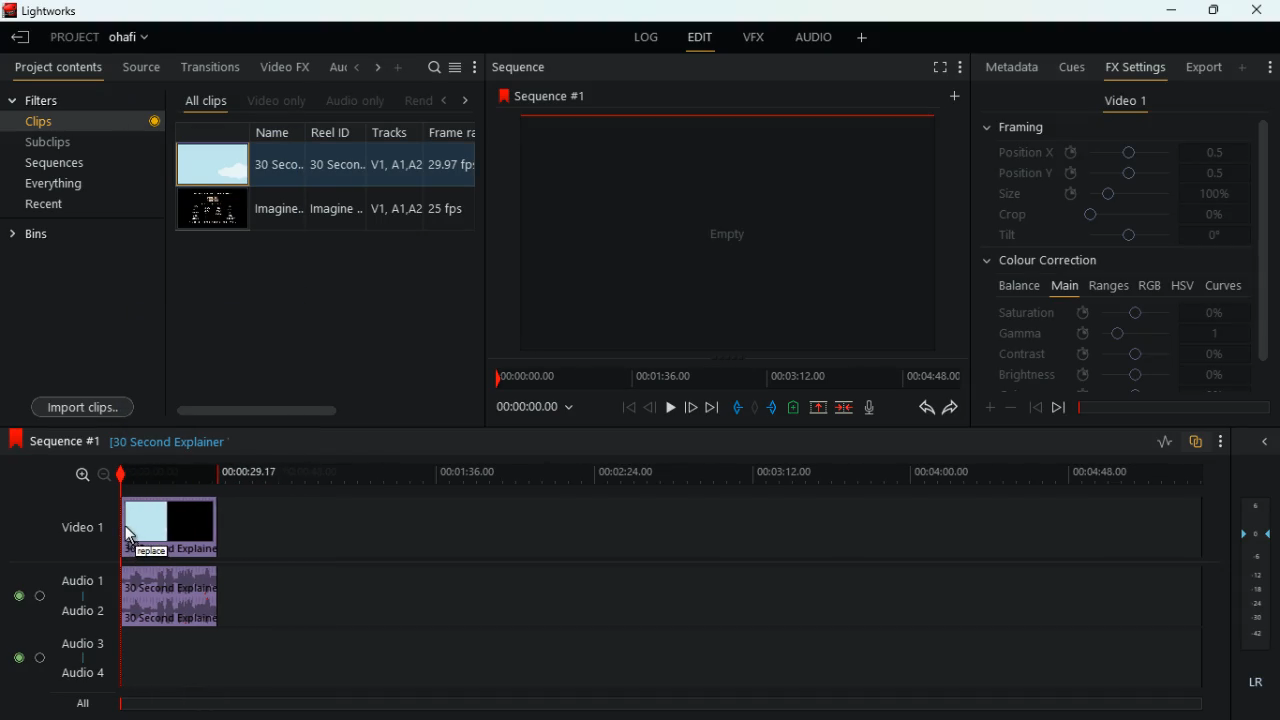 The image size is (1280, 720). Describe the element at coordinates (626, 406) in the screenshot. I see `beggining` at that location.